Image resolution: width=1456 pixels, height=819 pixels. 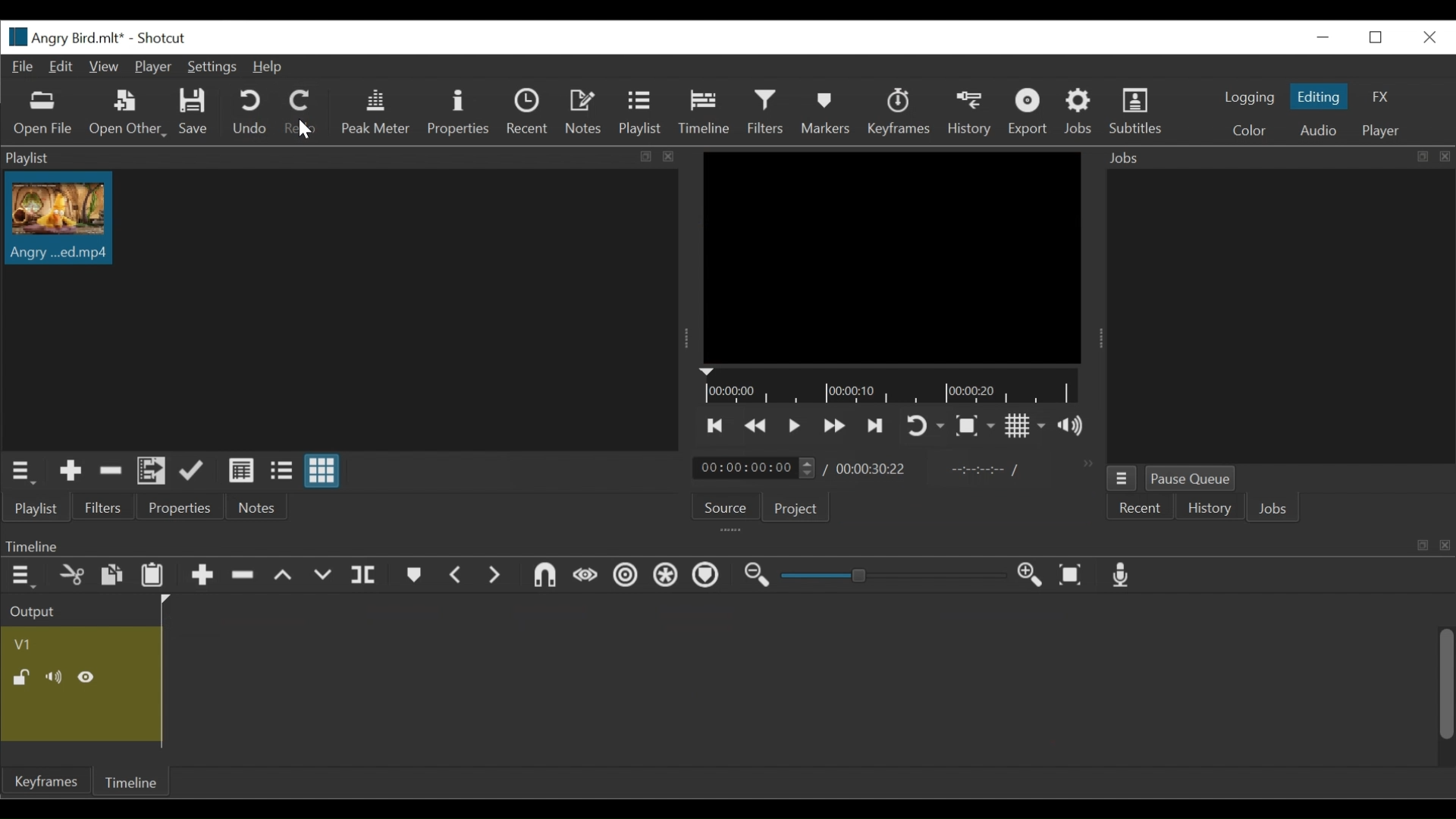 What do you see at coordinates (1072, 576) in the screenshot?
I see `Zoom timeline to fit` at bounding box center [1072, 576].